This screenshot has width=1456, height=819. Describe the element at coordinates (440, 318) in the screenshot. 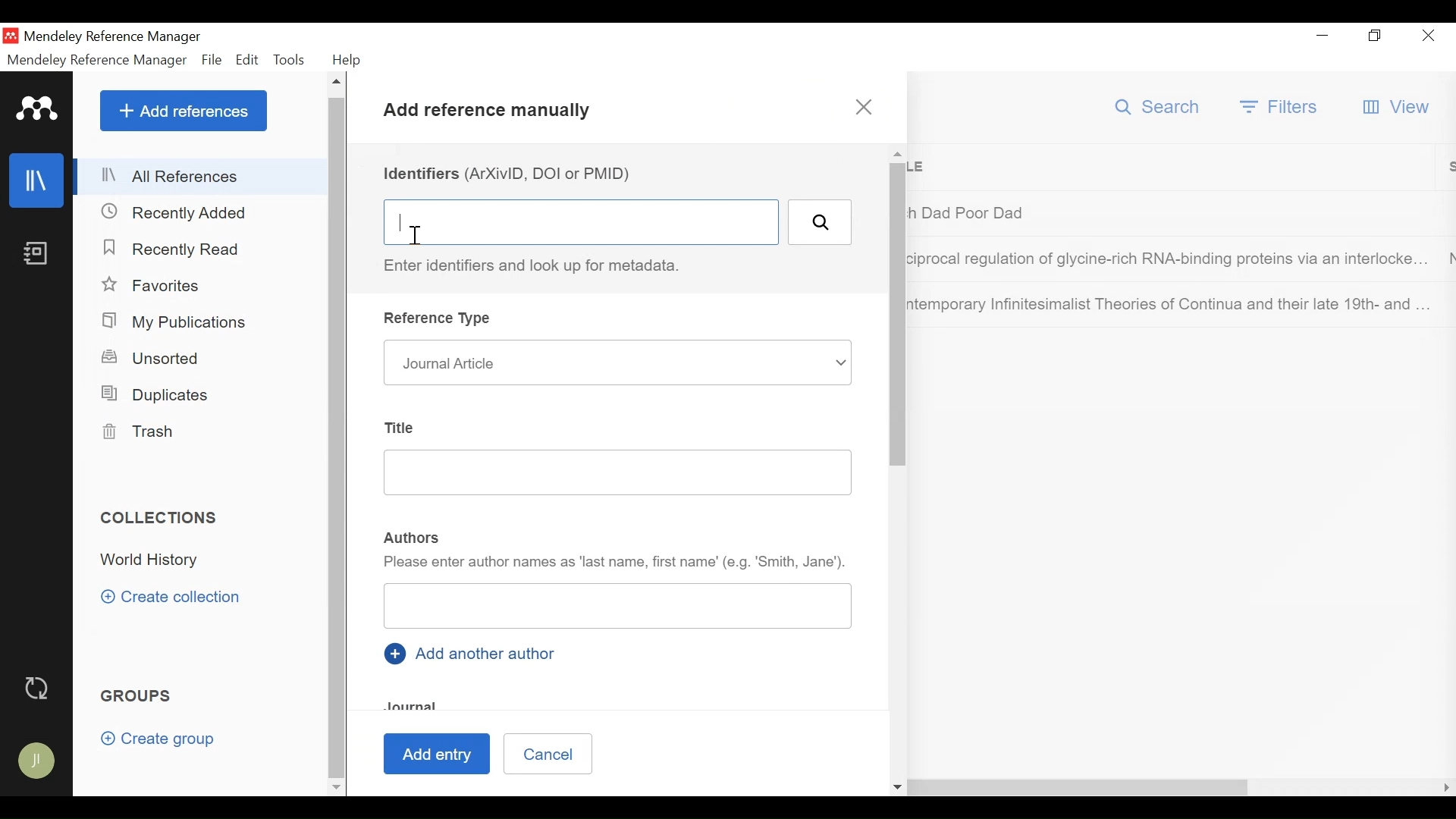

I see `Reference Type` at that location.